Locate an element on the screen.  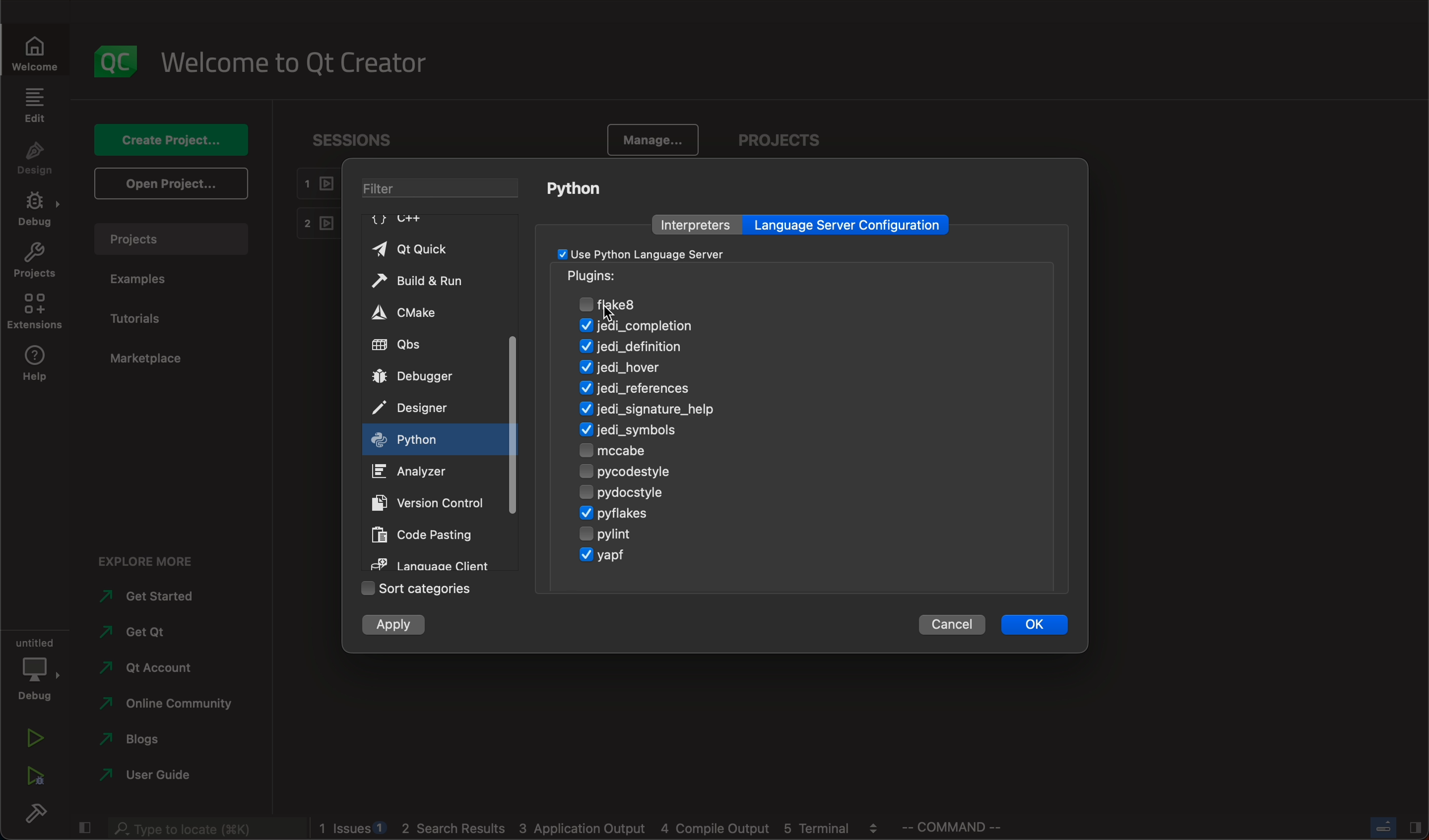
started is located at coordinates (154, 599).